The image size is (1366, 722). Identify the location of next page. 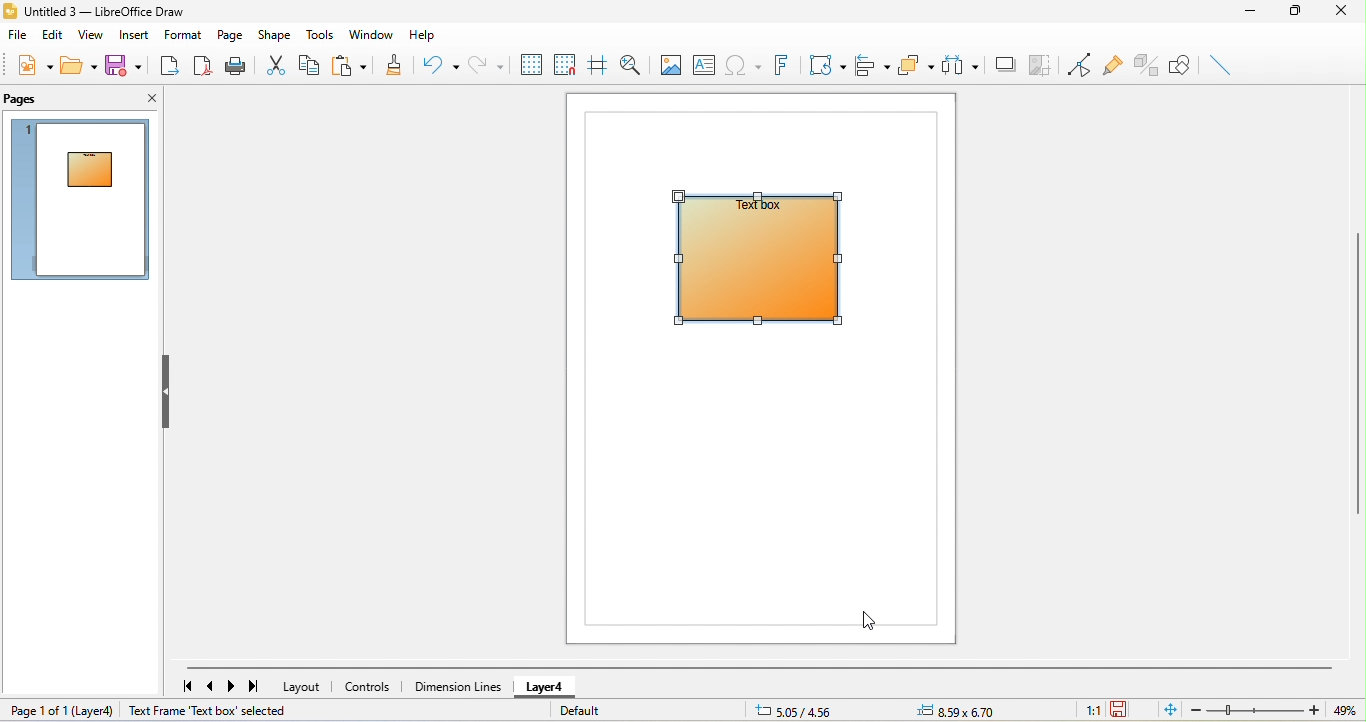
(234, 688).